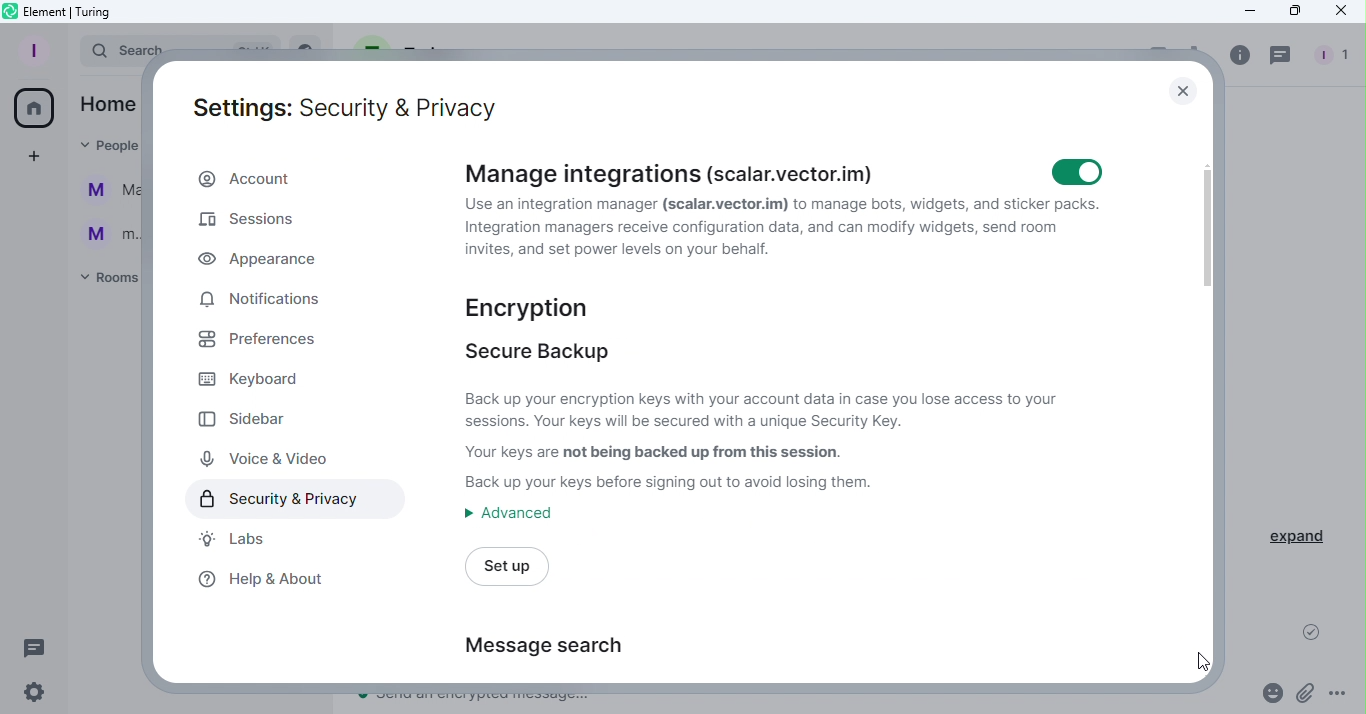 The width and height of the screenshot is (1366, 714). Describe the element at coordinates (512, 566) in the screenshot. I see `Set up` at that location.